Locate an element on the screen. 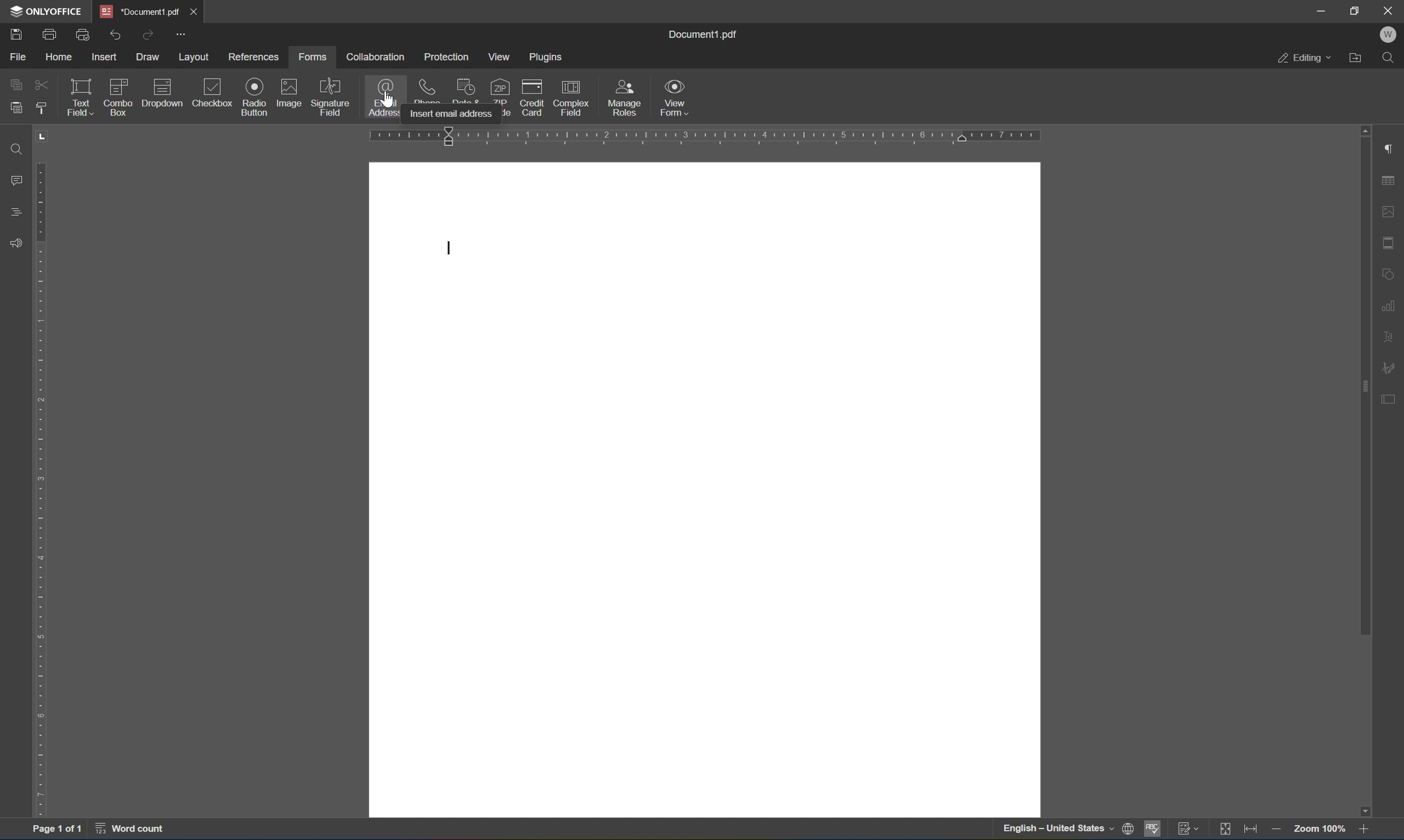  signature field is located at coordinates (333, 97).